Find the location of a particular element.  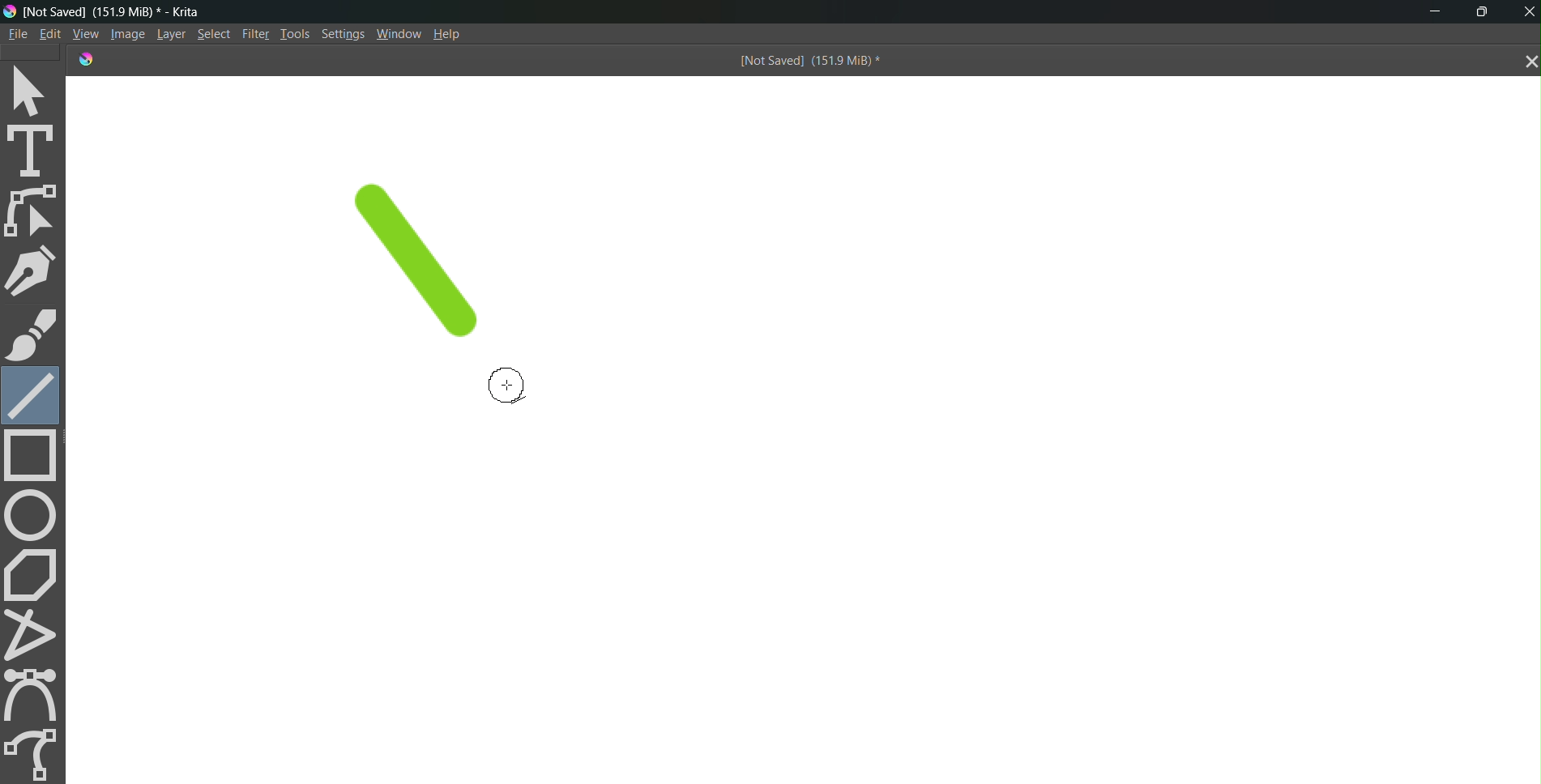

minimize is located at coordinates (1429, 13).